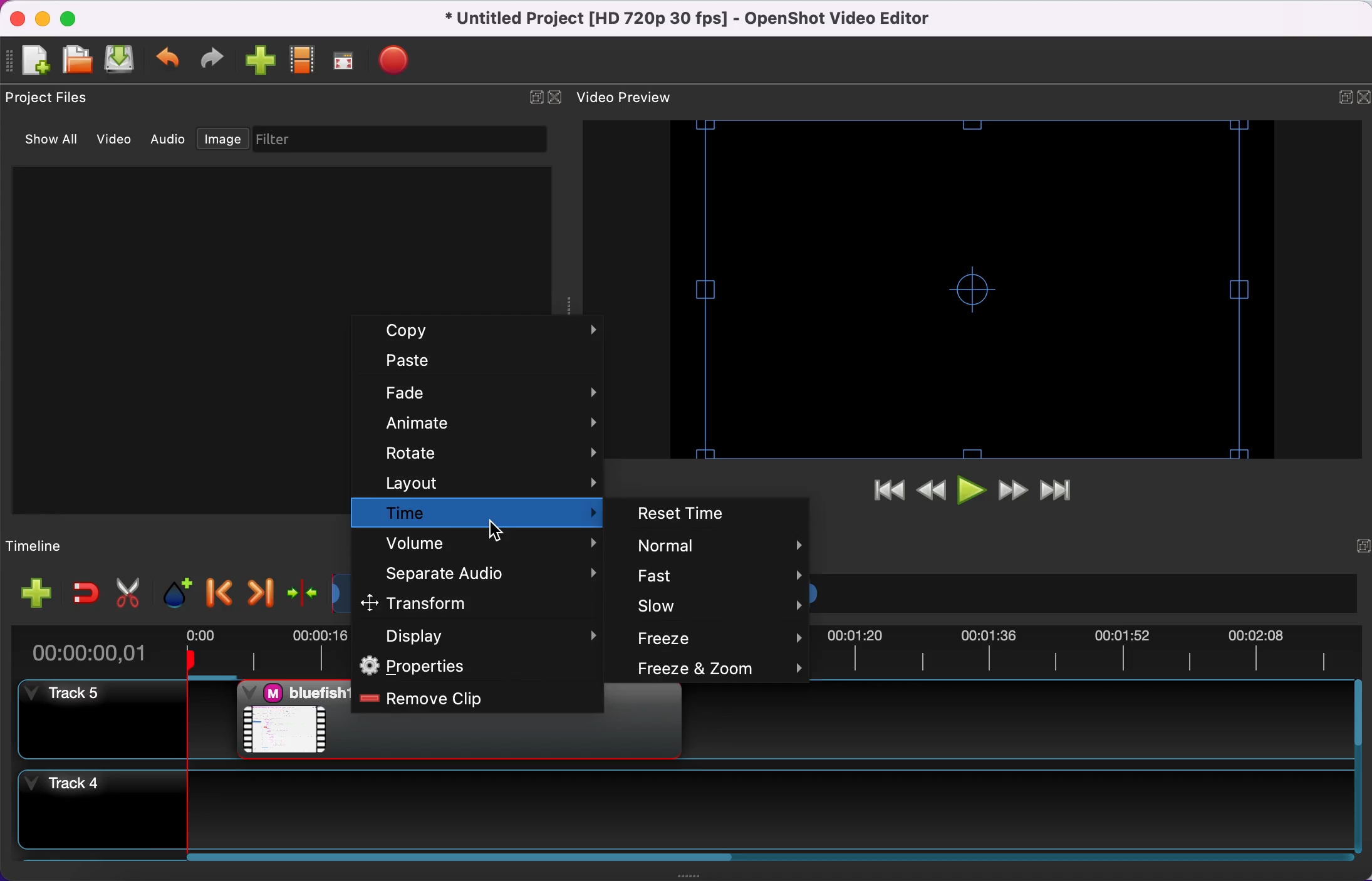 The height and width of the screenshot is (881, 1372). I want to click on paste, so click(483, 363).